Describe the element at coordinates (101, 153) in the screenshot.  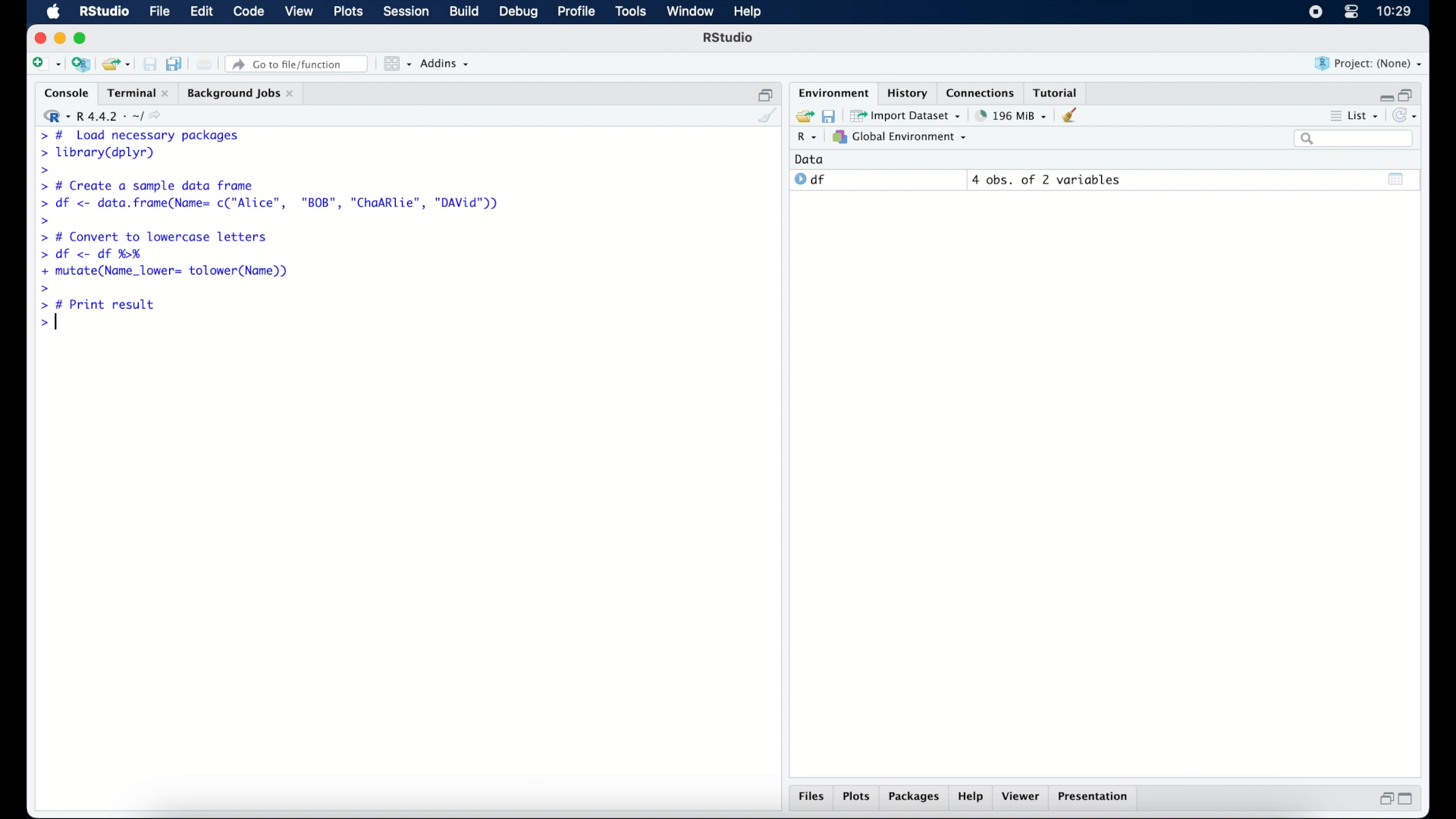
I see `> library(dplyr)|` at that location.